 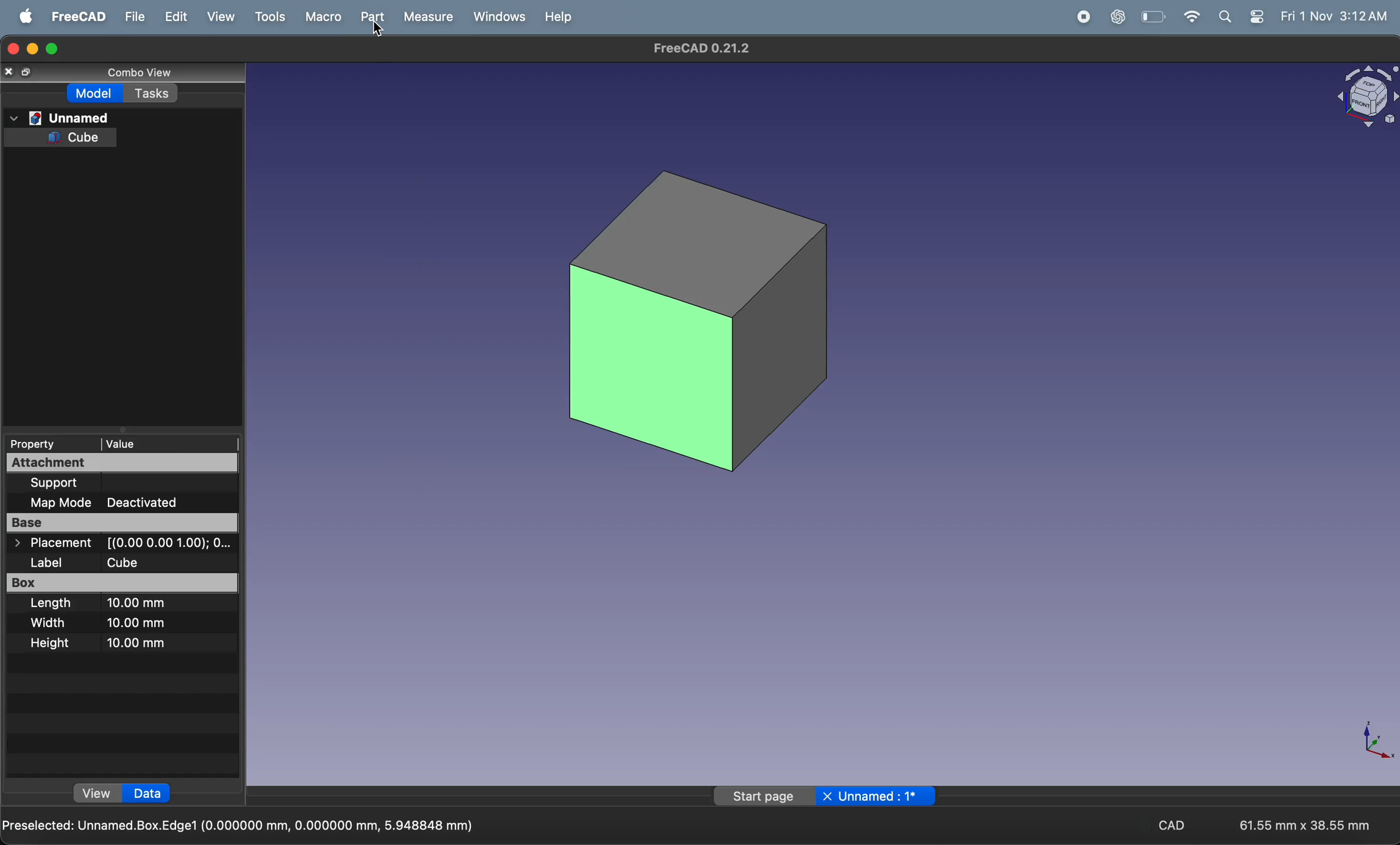 I want to click on search, so click(x=1224, y=18).